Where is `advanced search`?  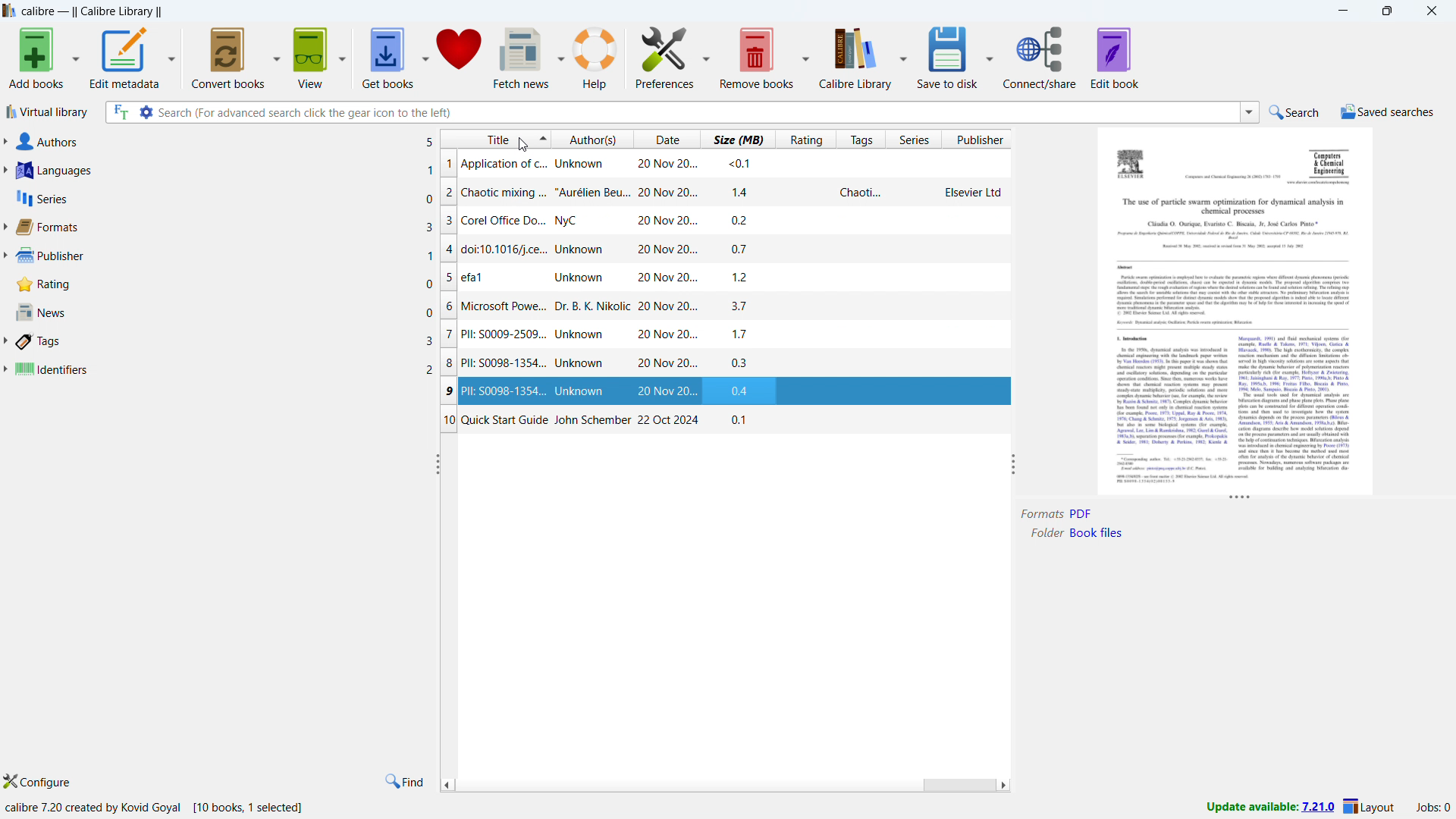 advanced search is located at coordinates (146, 112).